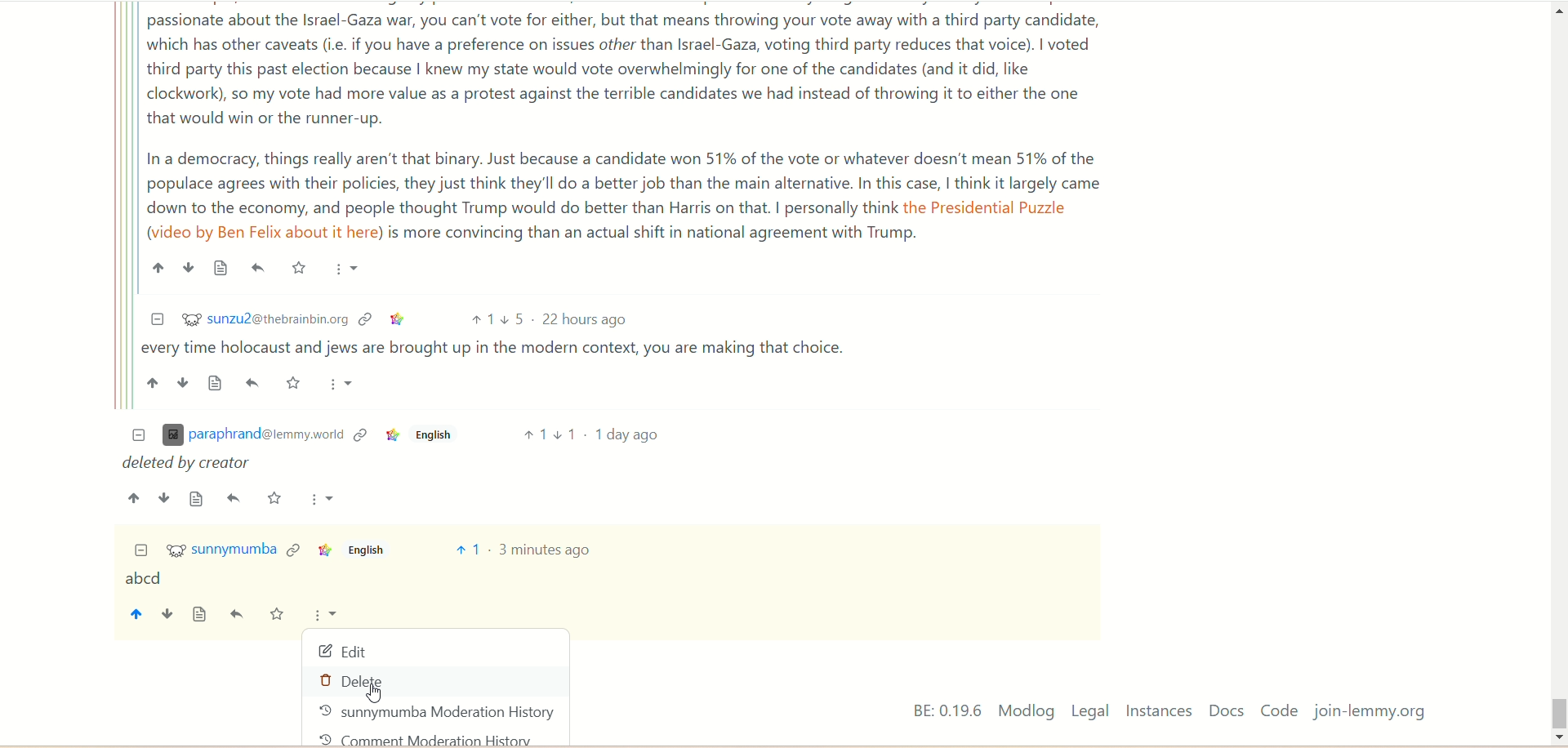 This screenshot has height=748, width=1568. I want to click on save, so click(277, 616).